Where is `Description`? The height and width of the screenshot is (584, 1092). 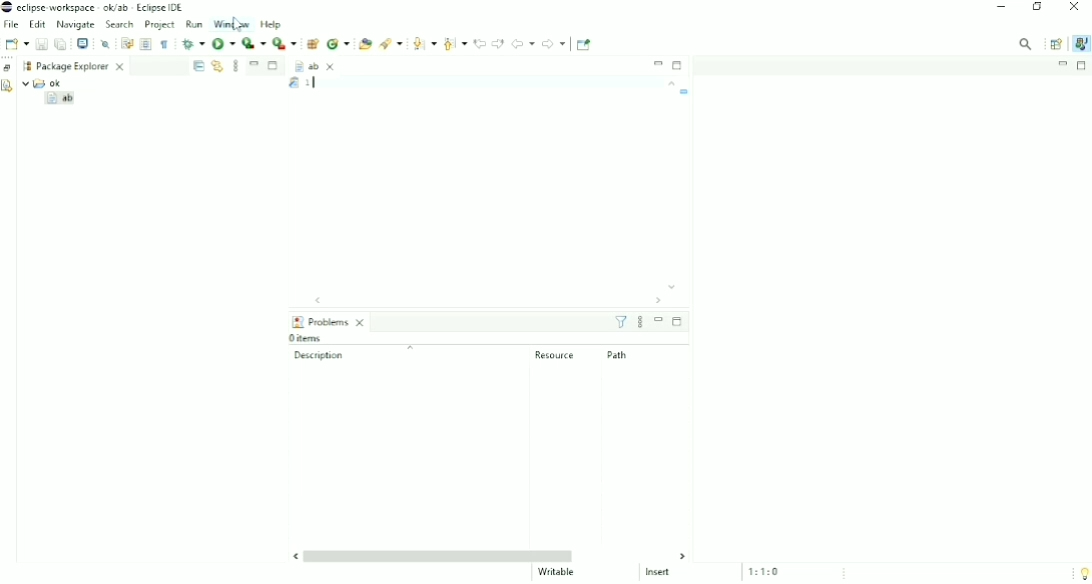 Description is located at coordinates (358, 354).